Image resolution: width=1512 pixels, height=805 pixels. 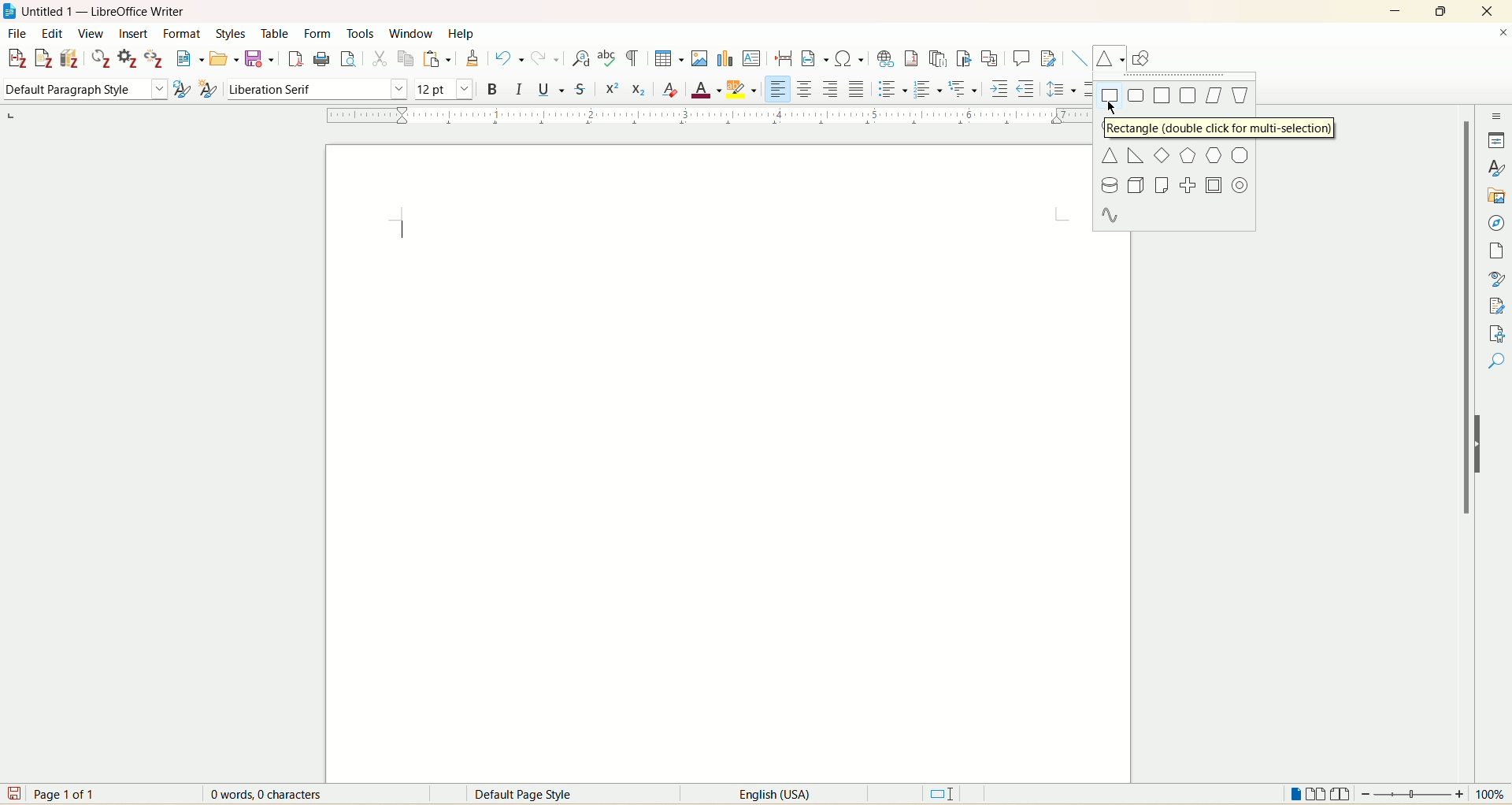 I want to click on save, so click(x=13, y=793).